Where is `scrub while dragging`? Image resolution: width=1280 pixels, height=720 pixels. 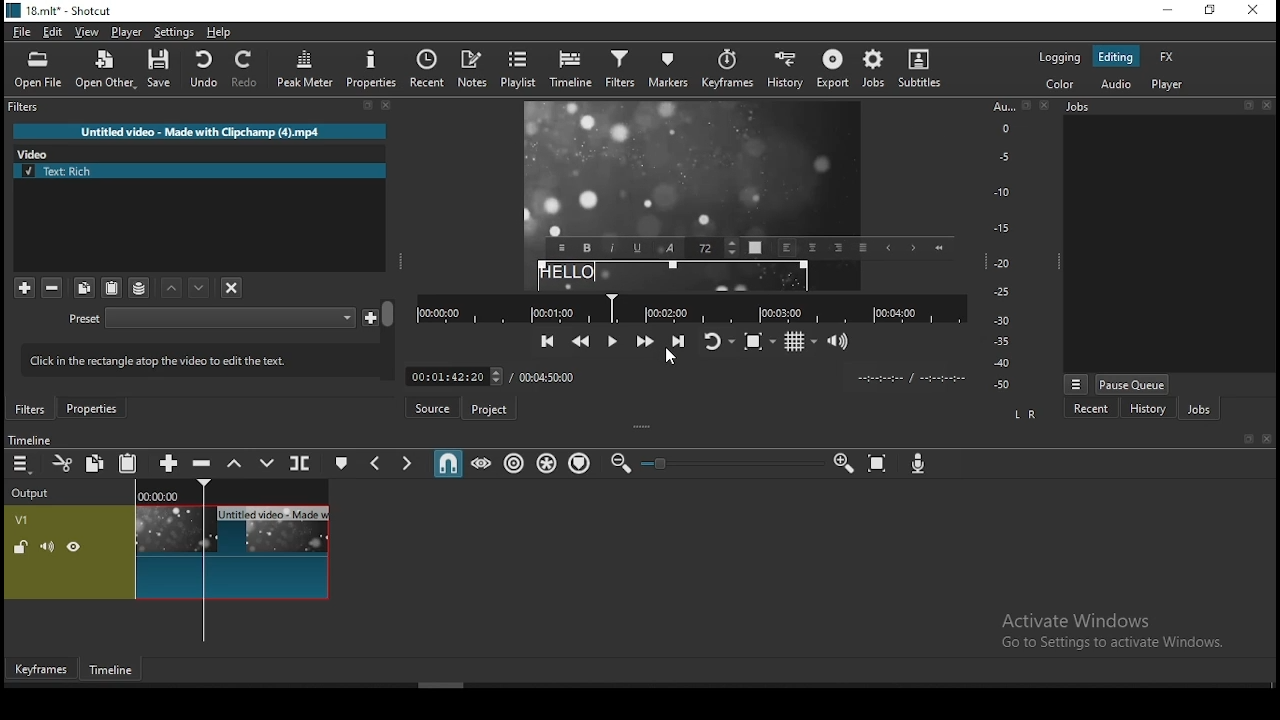 scrub while dragging is located at coordinates (482, 462).